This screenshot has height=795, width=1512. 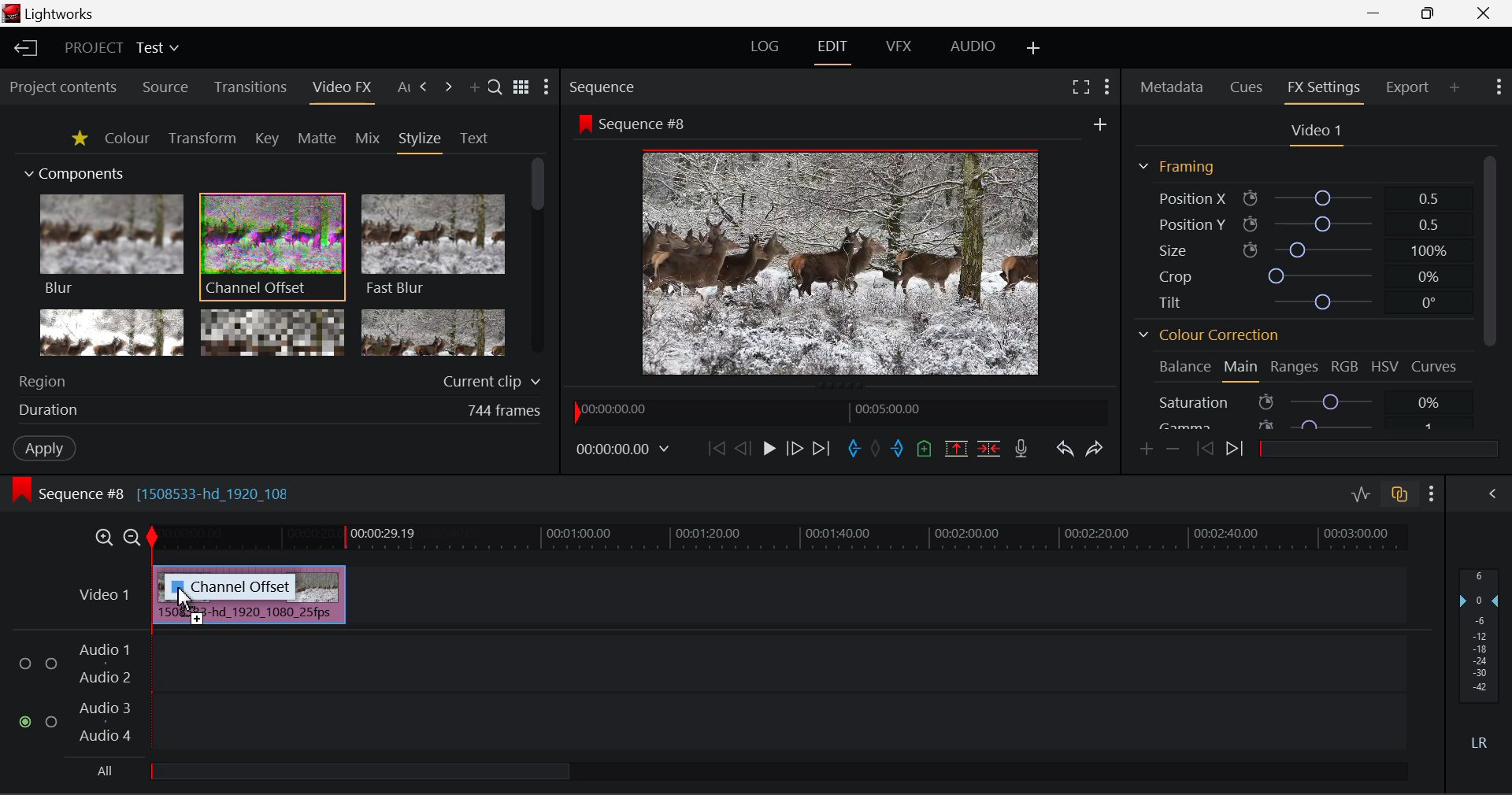 What do you see at coordinates (369, 139) in the screenshot?
I see `Mix` at bounding box center [369, 139].